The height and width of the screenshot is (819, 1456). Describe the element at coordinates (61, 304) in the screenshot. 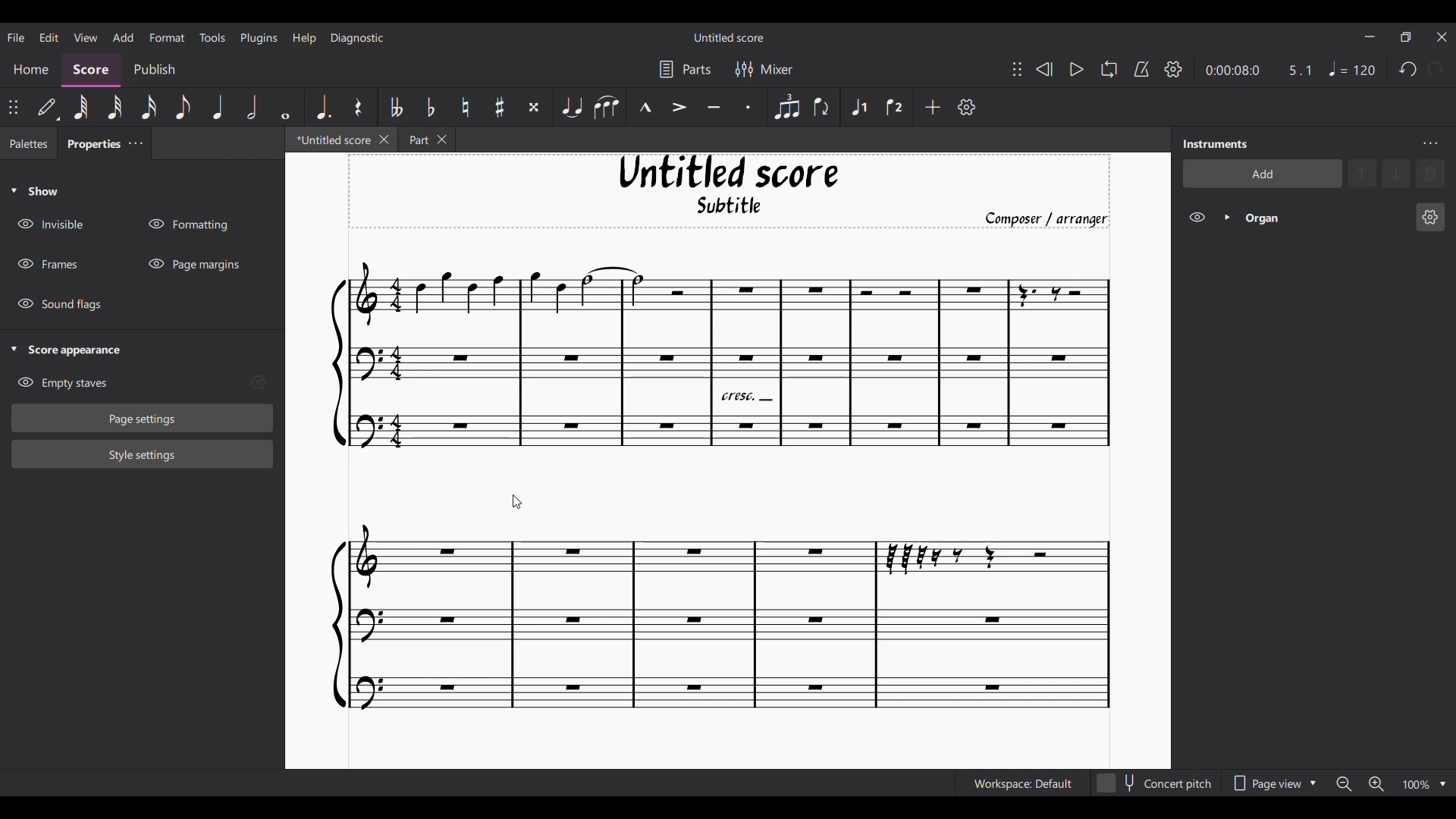

I see `Hide Sound flags` at that location.